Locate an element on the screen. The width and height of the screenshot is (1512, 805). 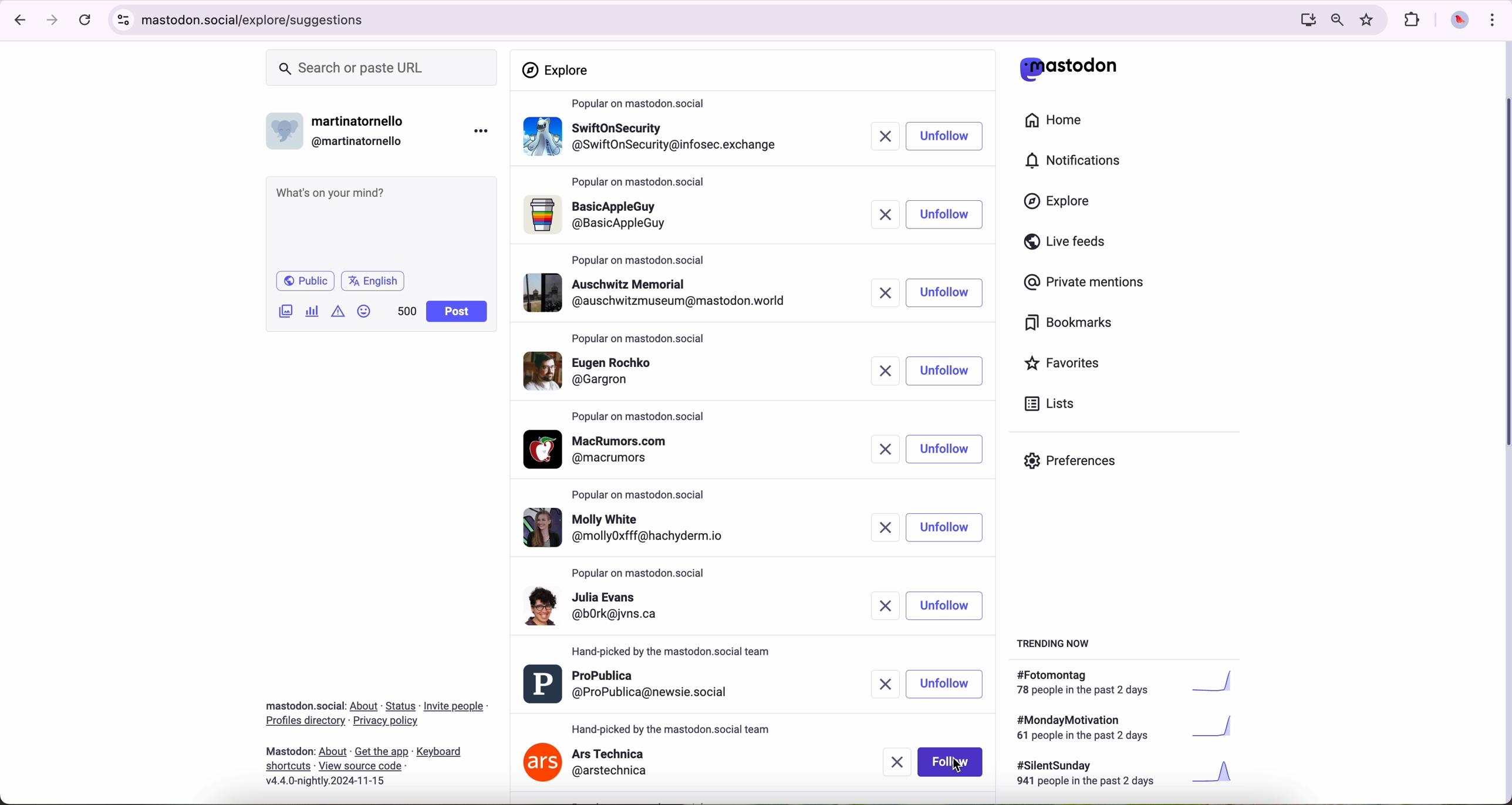
navigate back is located at coordinates (16, 19).